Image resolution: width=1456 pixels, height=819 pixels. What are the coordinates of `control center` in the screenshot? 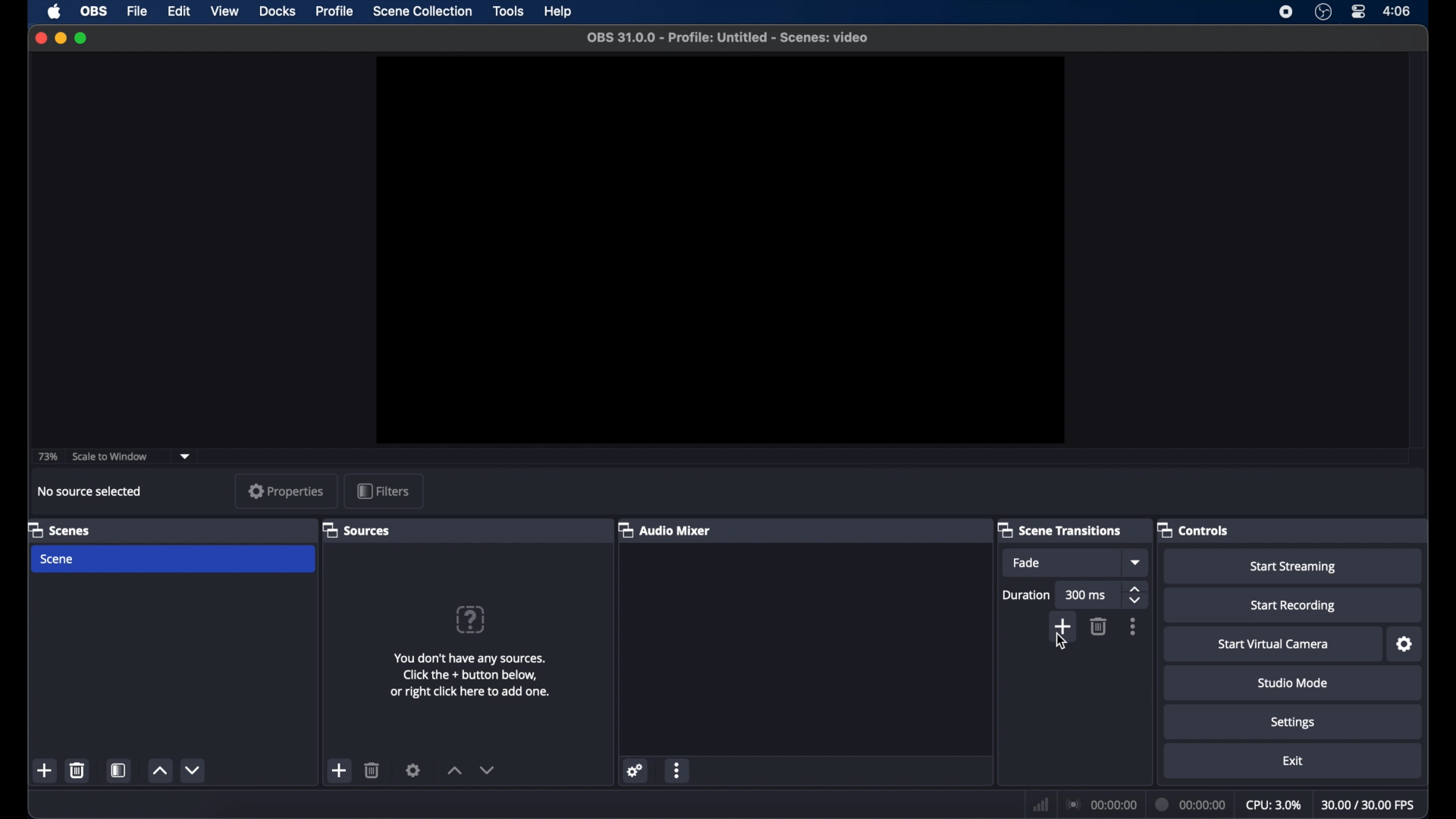 It's located at (1359, 12).